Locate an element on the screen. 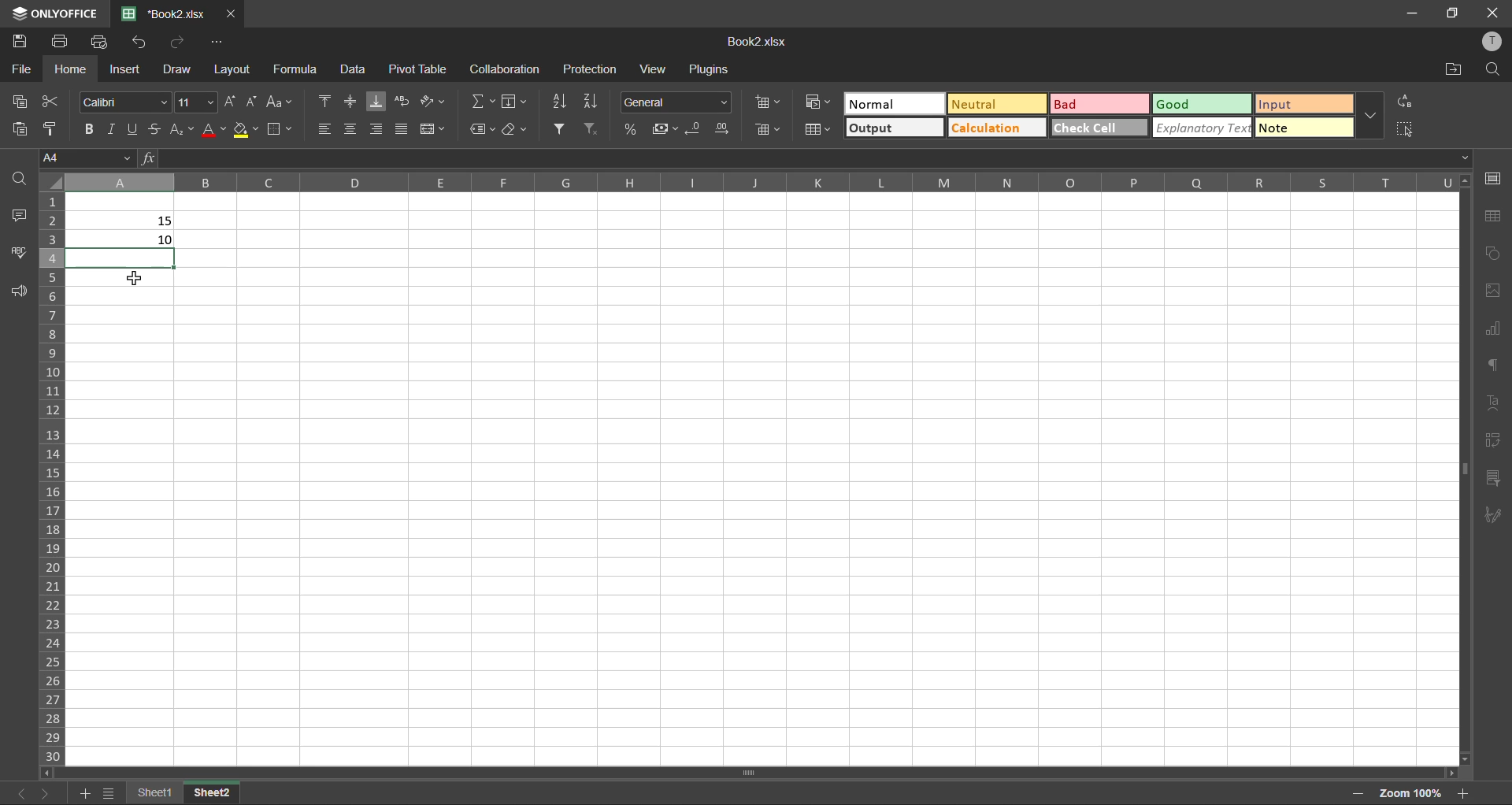 Image resolution: width=1512 pixels, height=805 pixels. images is located at coordinates (1493, 291).